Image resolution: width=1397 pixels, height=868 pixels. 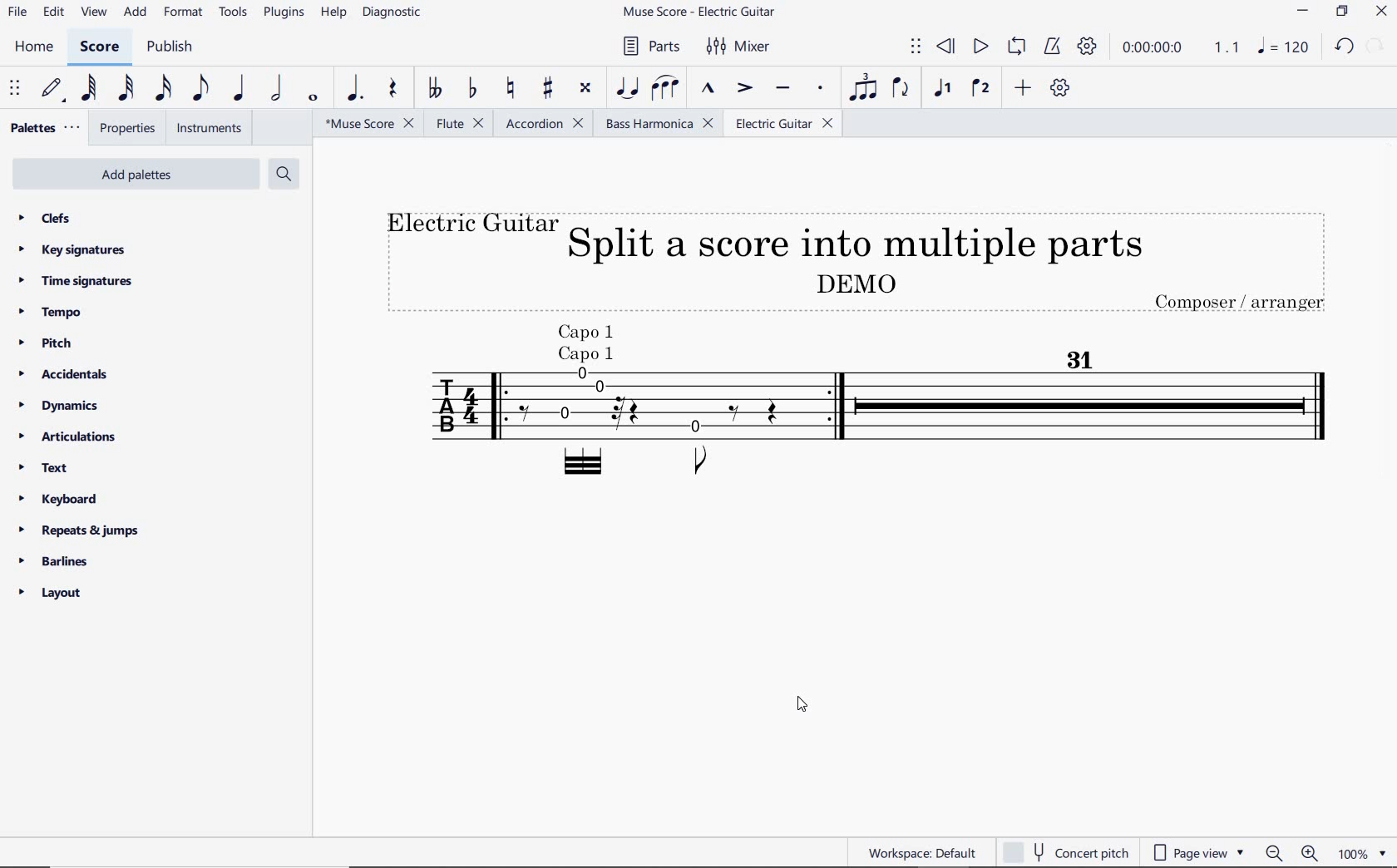 What do you see at coordinates (333, 13) in the screenshot?
I see `help` at bounding box center [333, 13].